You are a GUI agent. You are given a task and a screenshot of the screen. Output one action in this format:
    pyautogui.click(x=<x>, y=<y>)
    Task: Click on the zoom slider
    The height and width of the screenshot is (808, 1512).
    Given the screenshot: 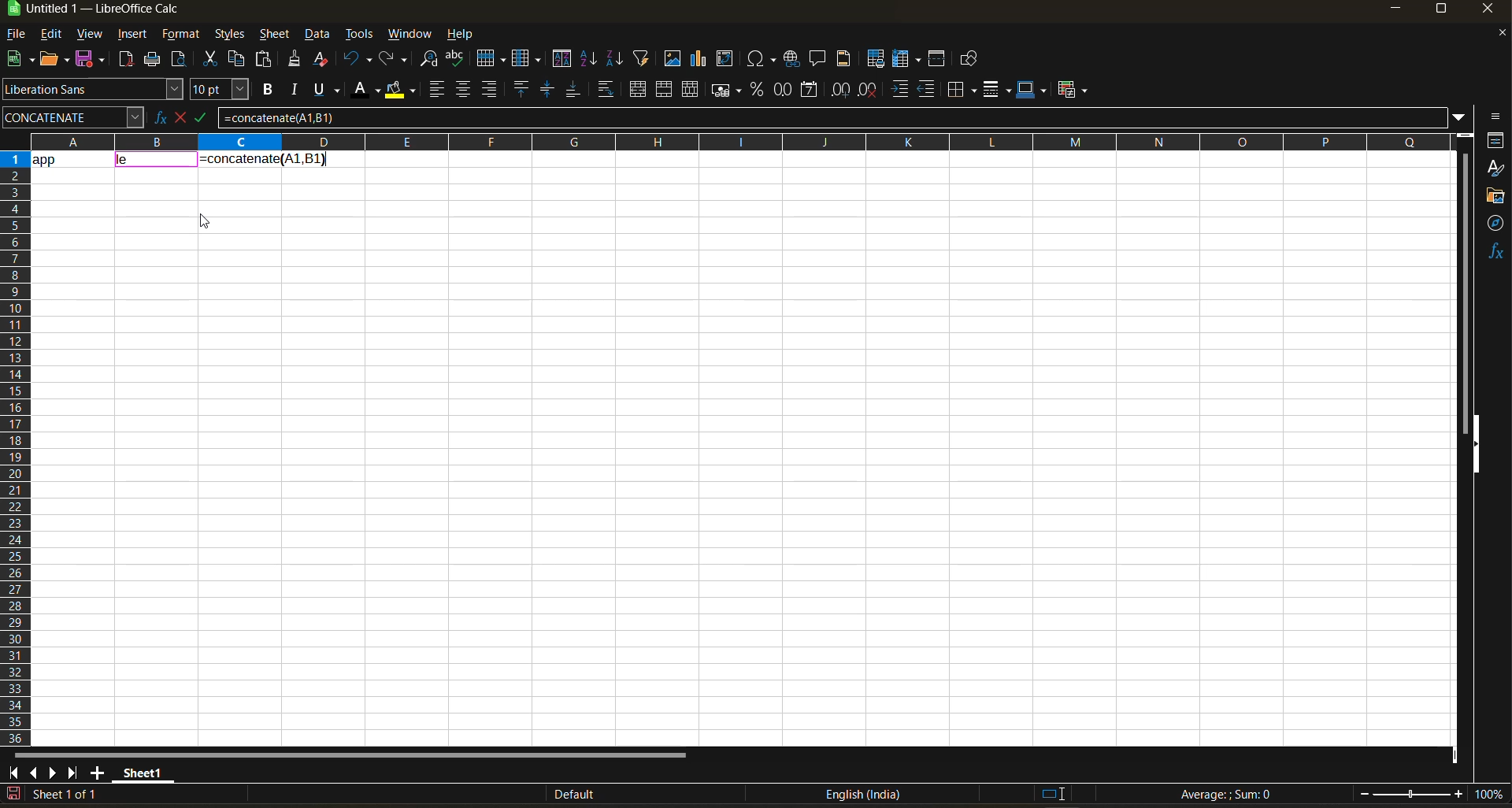 What is the action you would take?
    pyautogui.click(x=1411, y=795)
    